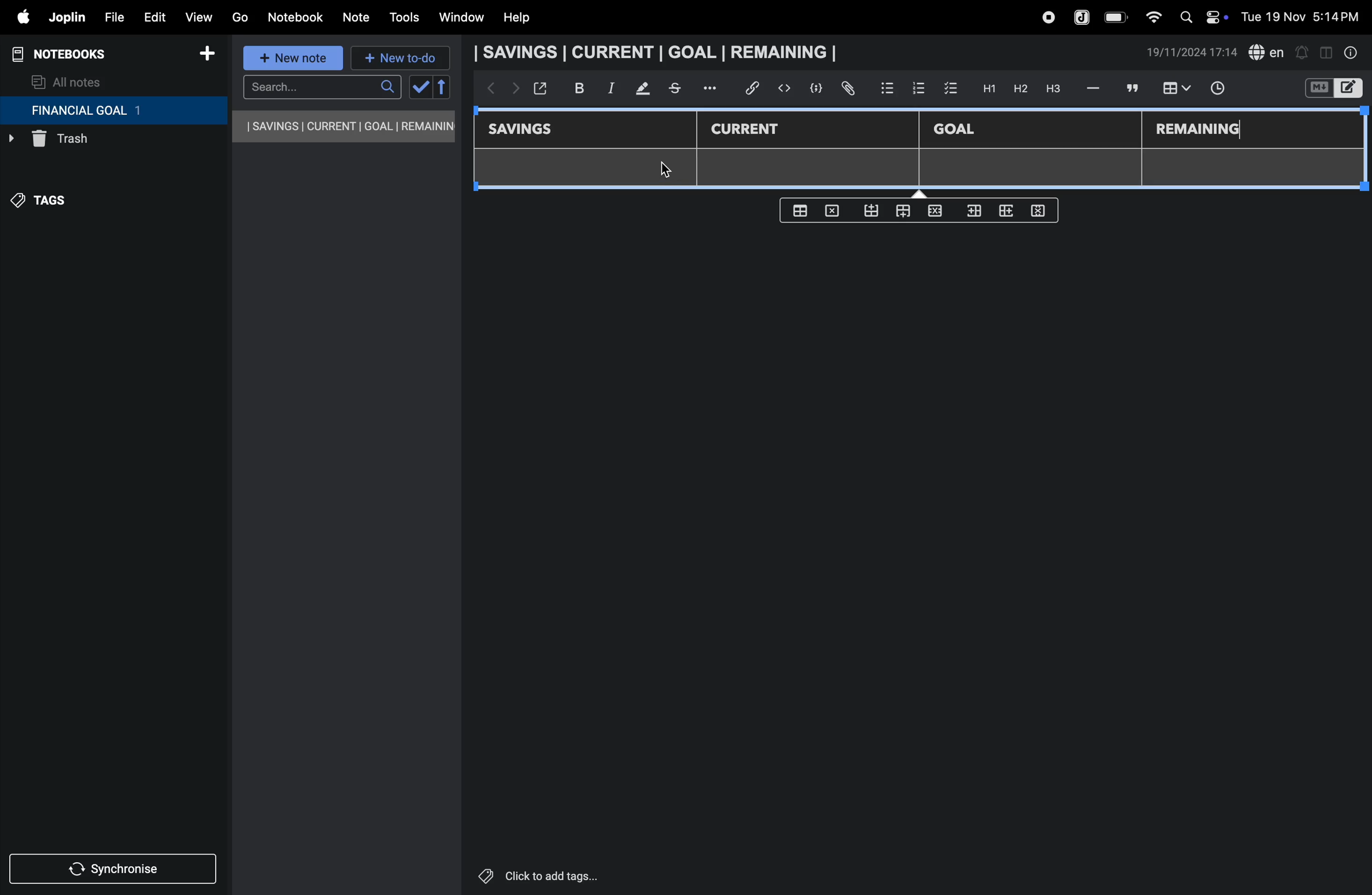 The width and height of the screenshot is (1372, 895). Describe the element at coordinates (1174, 89) in the screenshot. I see `insert table` at that location.